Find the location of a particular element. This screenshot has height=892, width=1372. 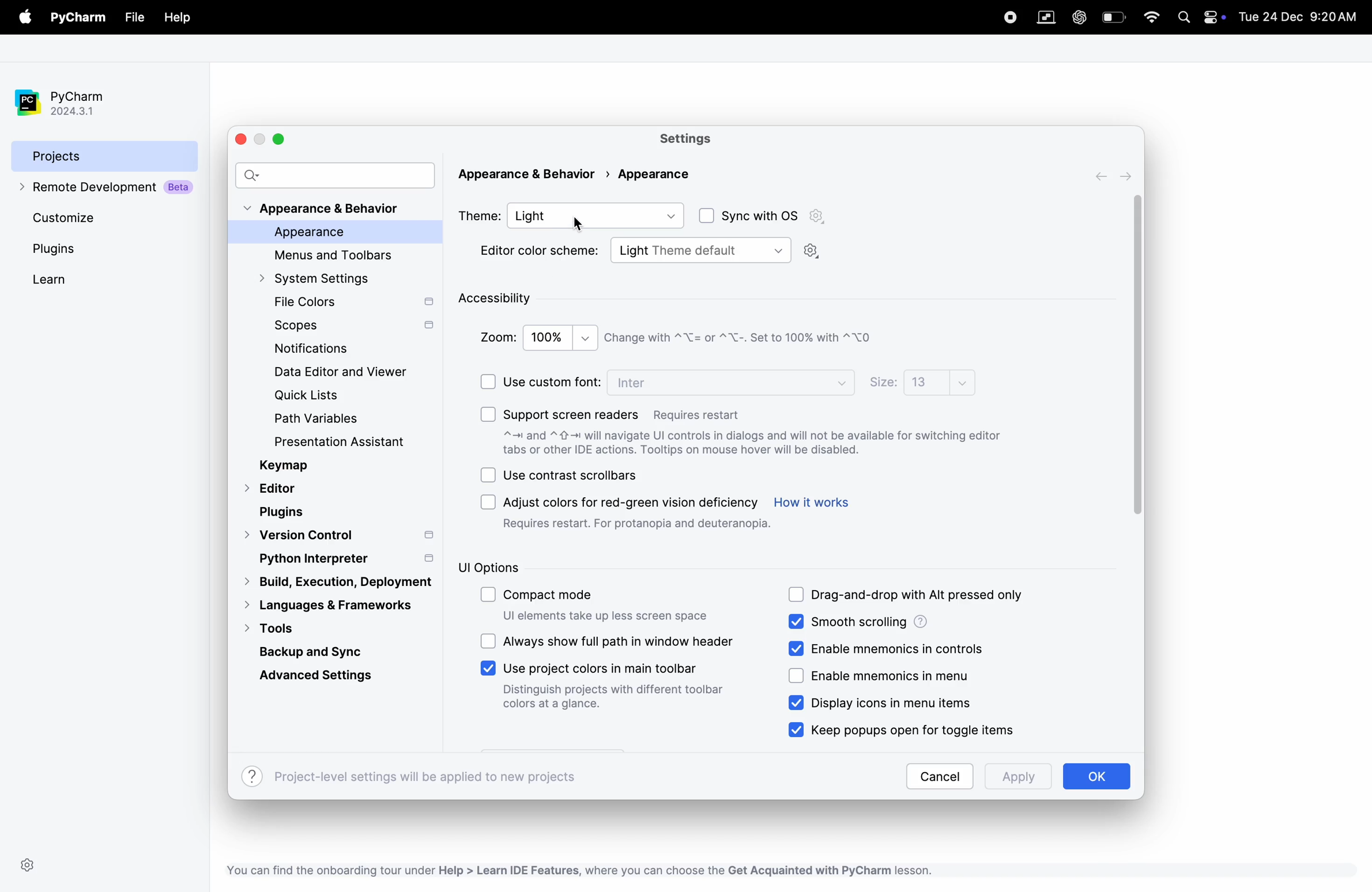

always show full path header is located at coordinates (621, 640).